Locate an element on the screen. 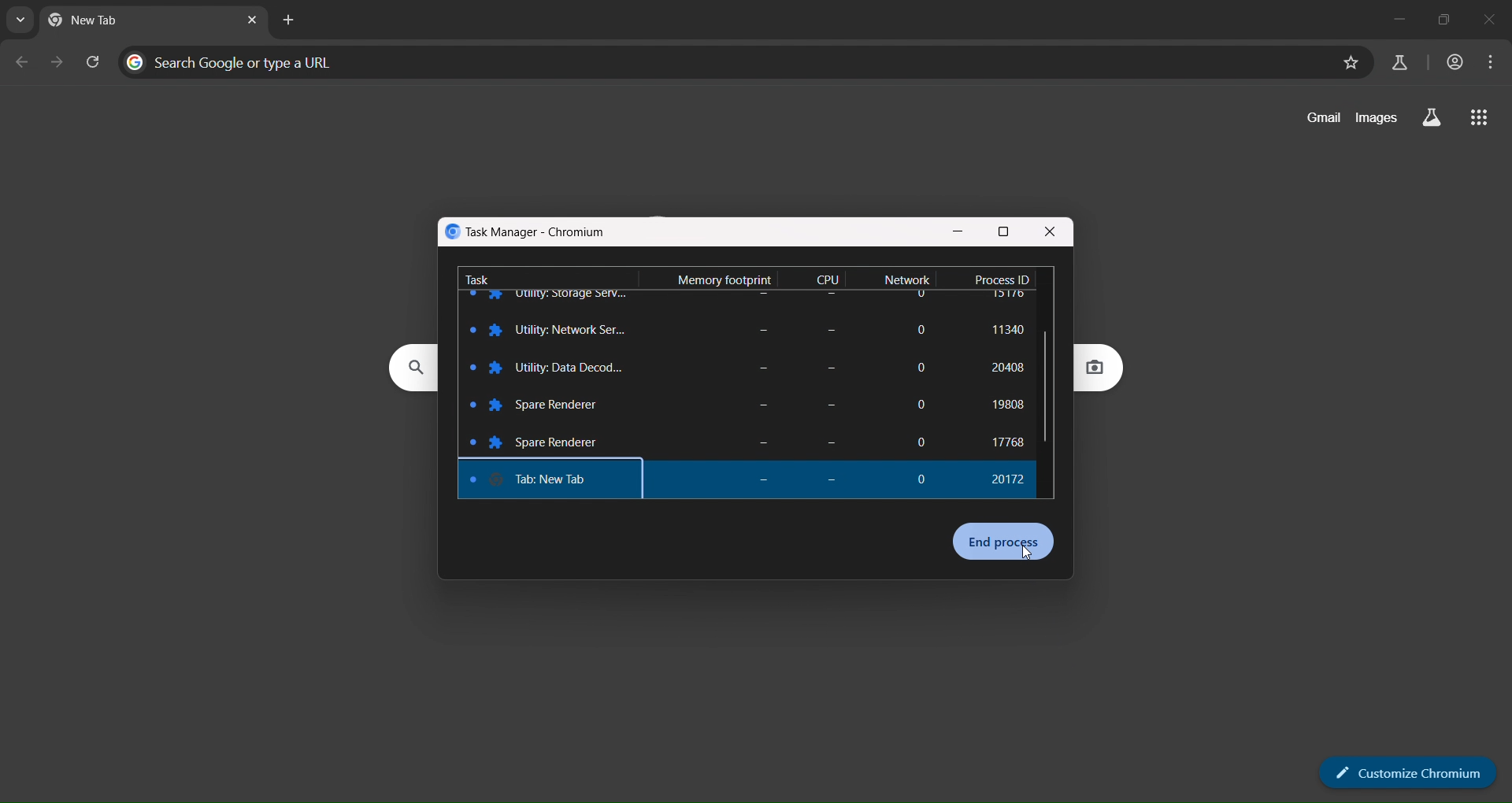  Task is located at coordinates (479, 276).